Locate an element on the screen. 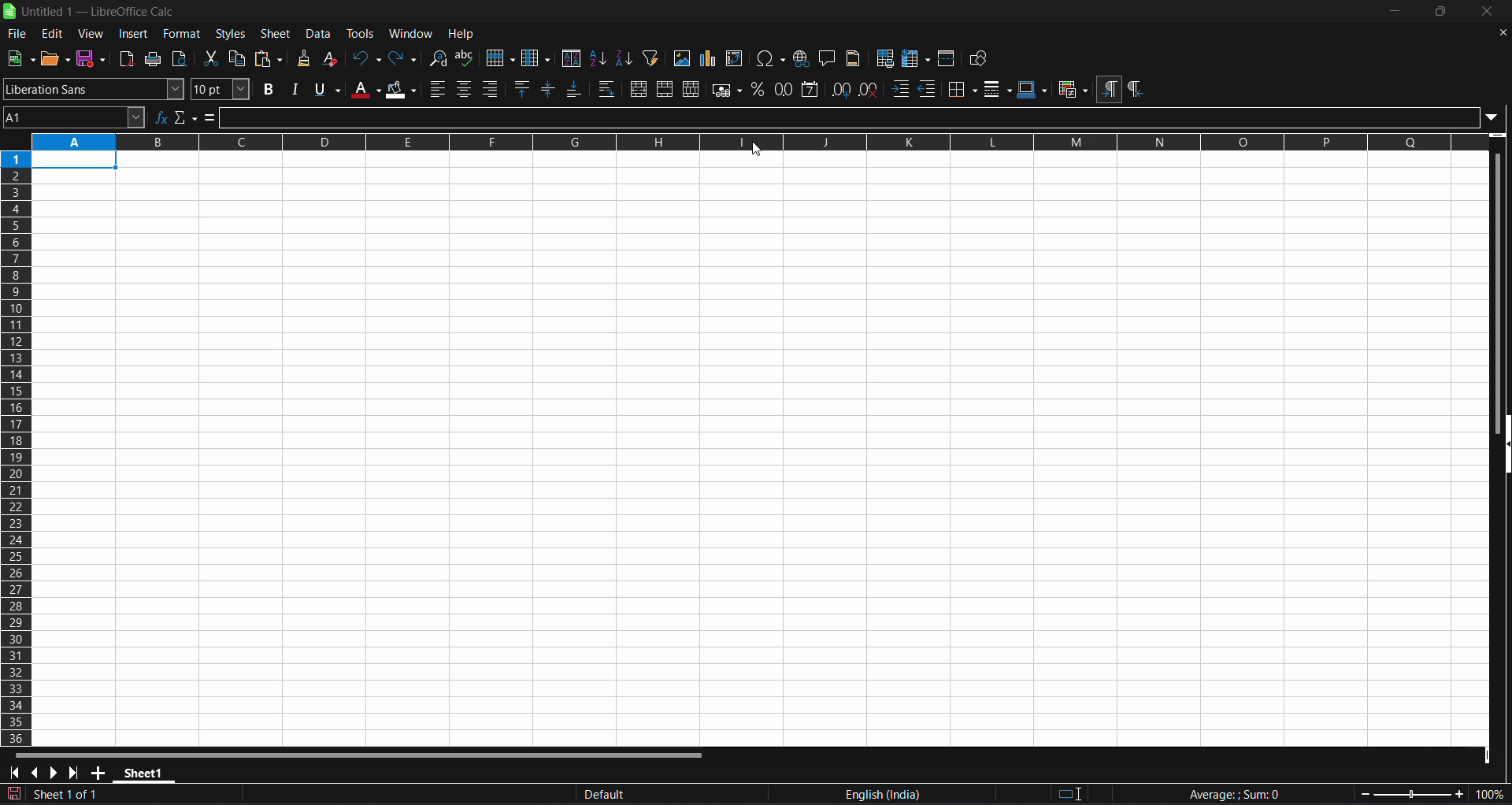  merge and center or unmerge cells depending on the toggle state is located at coordinates (641, 89).